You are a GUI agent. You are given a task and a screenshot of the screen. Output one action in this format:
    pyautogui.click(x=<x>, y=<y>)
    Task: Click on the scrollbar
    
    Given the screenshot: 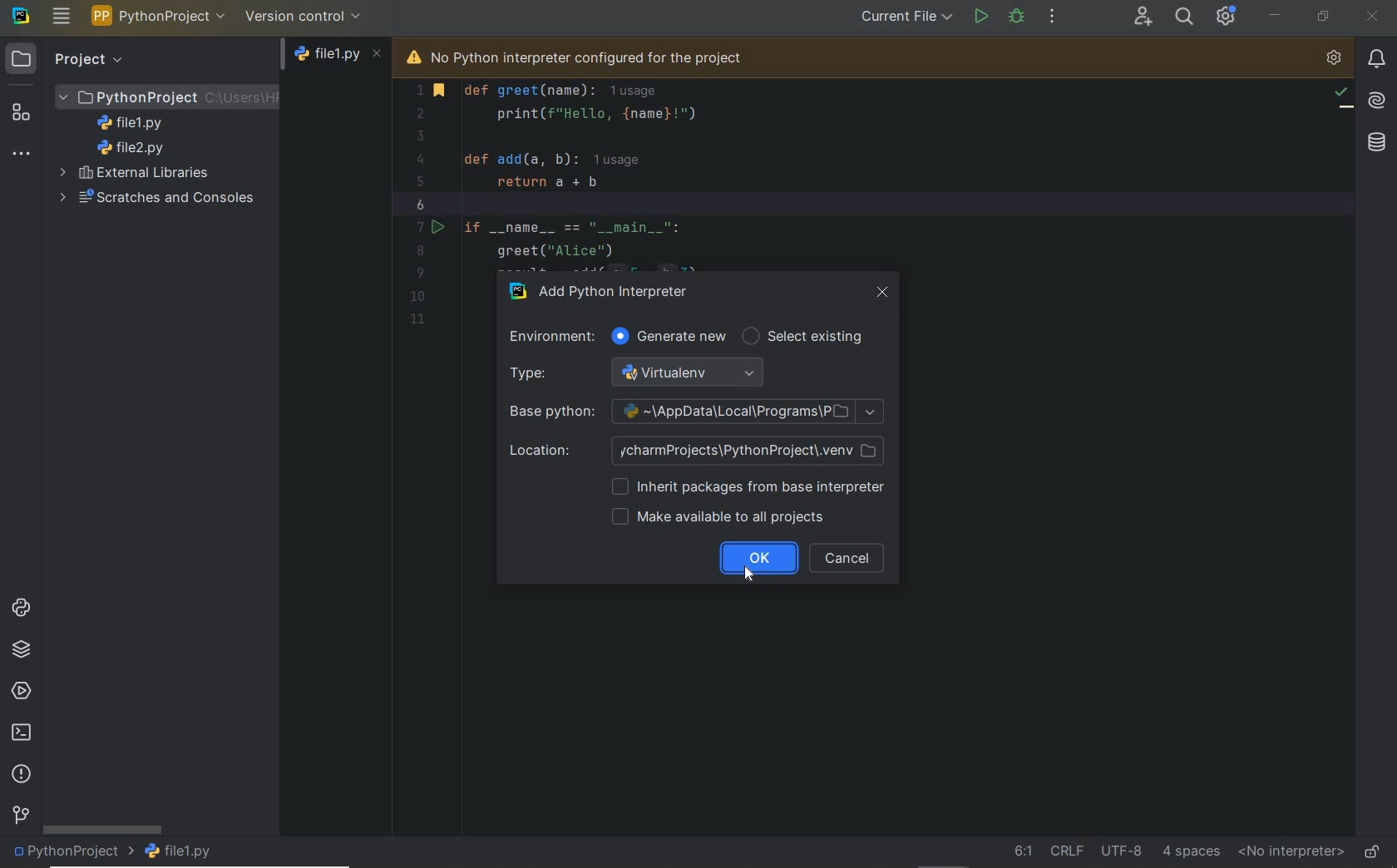 What is the action you would take?
    pyautogui.click(x=102, y=829)
    